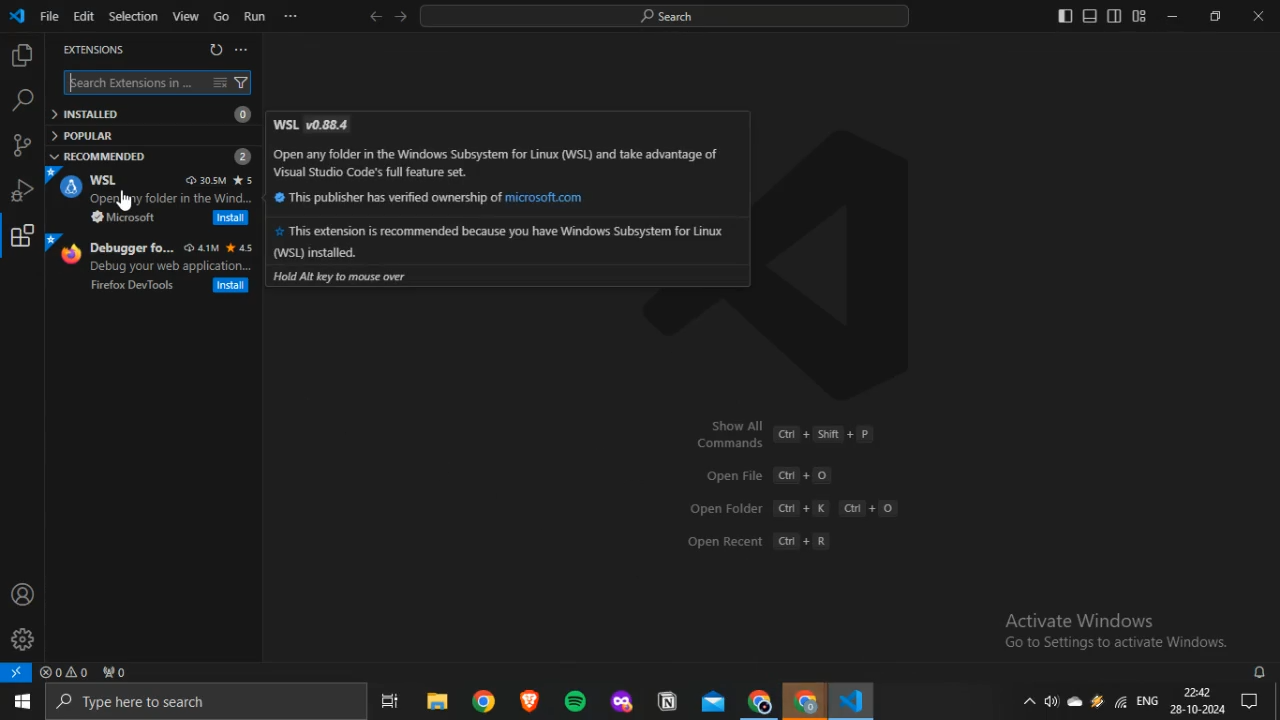 This screenshot has width=1280, height=720. I want to click on back, so click(376, 16).